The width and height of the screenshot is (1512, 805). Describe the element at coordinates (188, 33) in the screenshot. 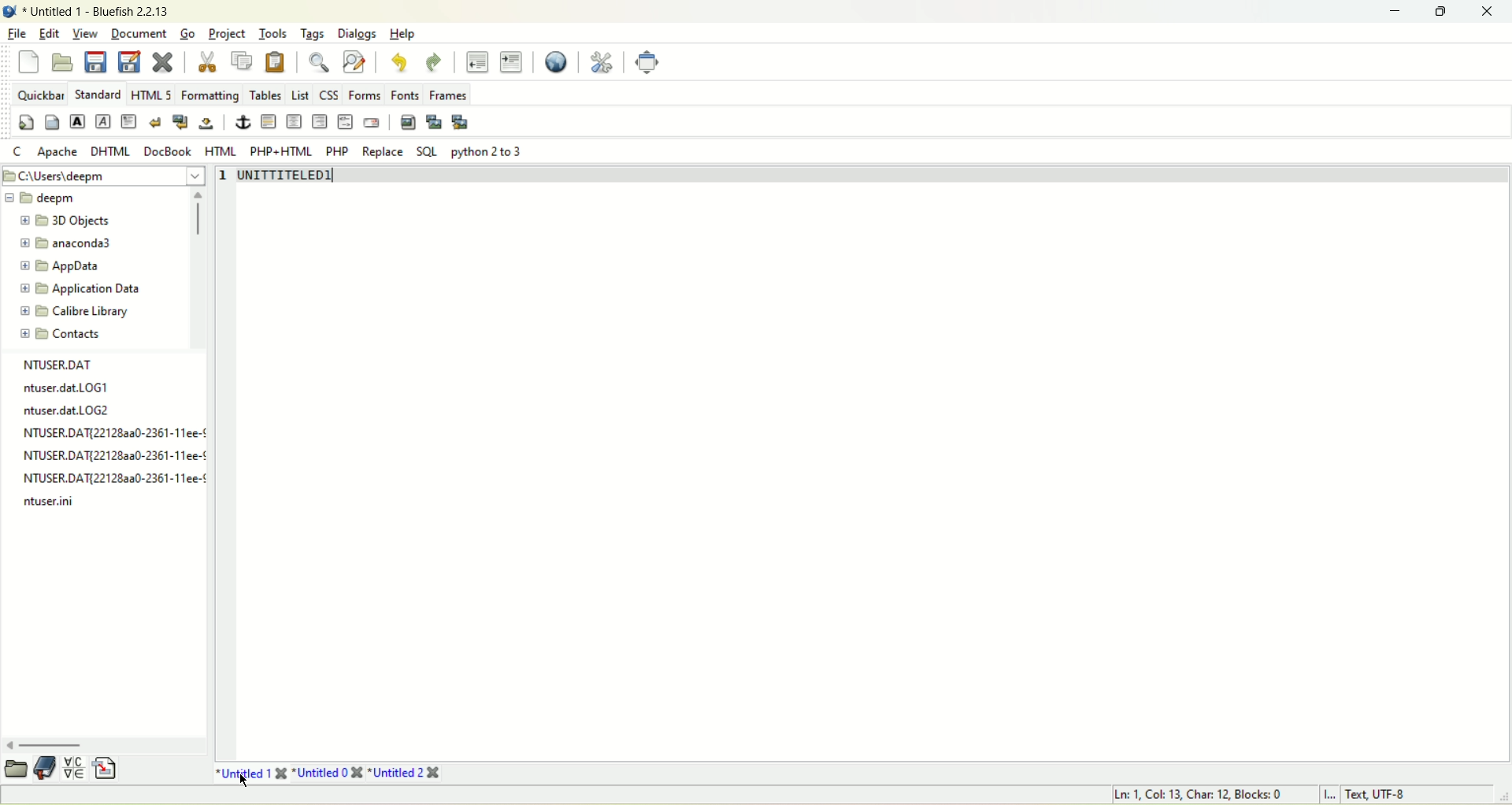

I see `go` at that location.